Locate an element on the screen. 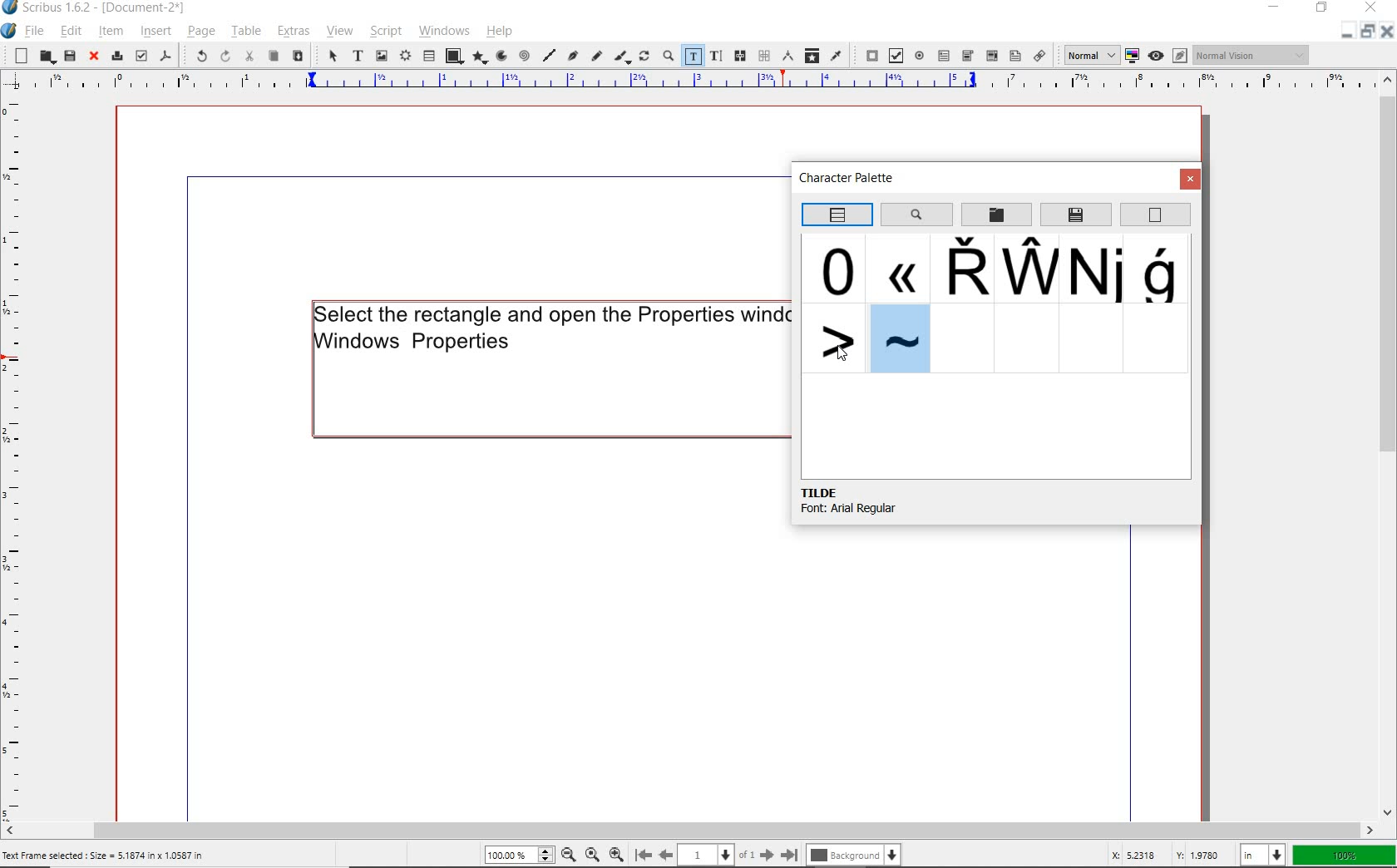 The height and width of the screenshot is (868, 1397). pdf combo box is located at coordinates (968, 55).